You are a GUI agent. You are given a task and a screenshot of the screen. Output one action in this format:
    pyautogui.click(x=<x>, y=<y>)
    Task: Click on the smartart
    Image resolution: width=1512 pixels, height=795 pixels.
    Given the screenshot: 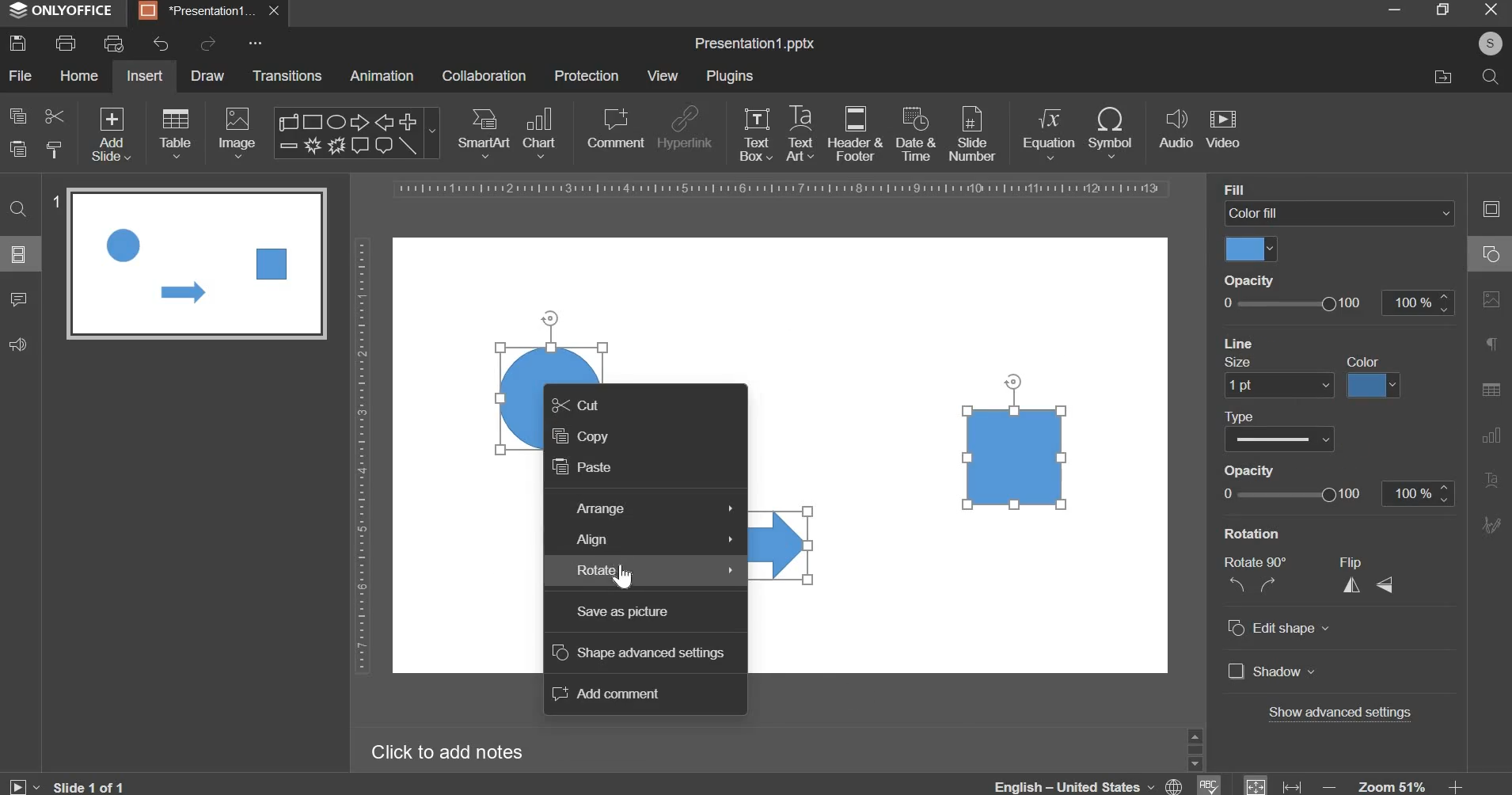 What is the action you would take?
    pyautogui.click(x=484, y=130)
    